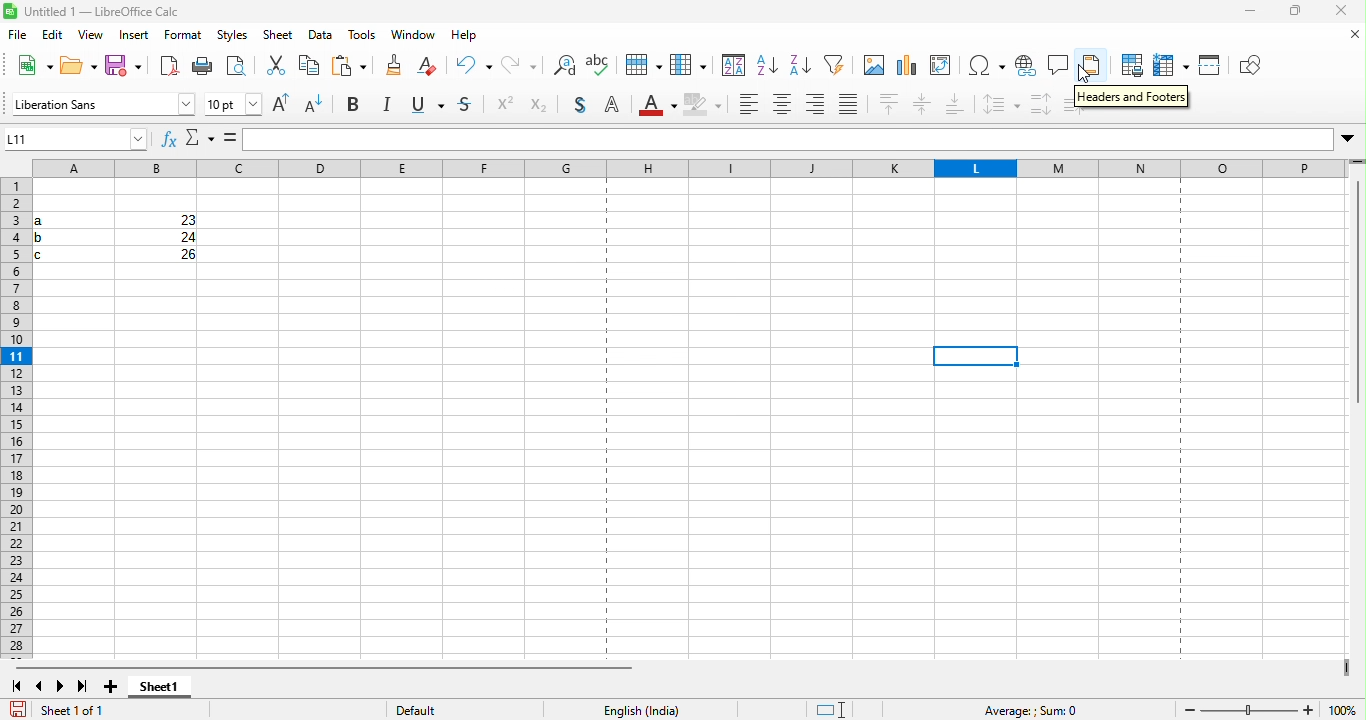 This screenshot has height=720, width=1366. I want to click on select function, so click(201, 141).